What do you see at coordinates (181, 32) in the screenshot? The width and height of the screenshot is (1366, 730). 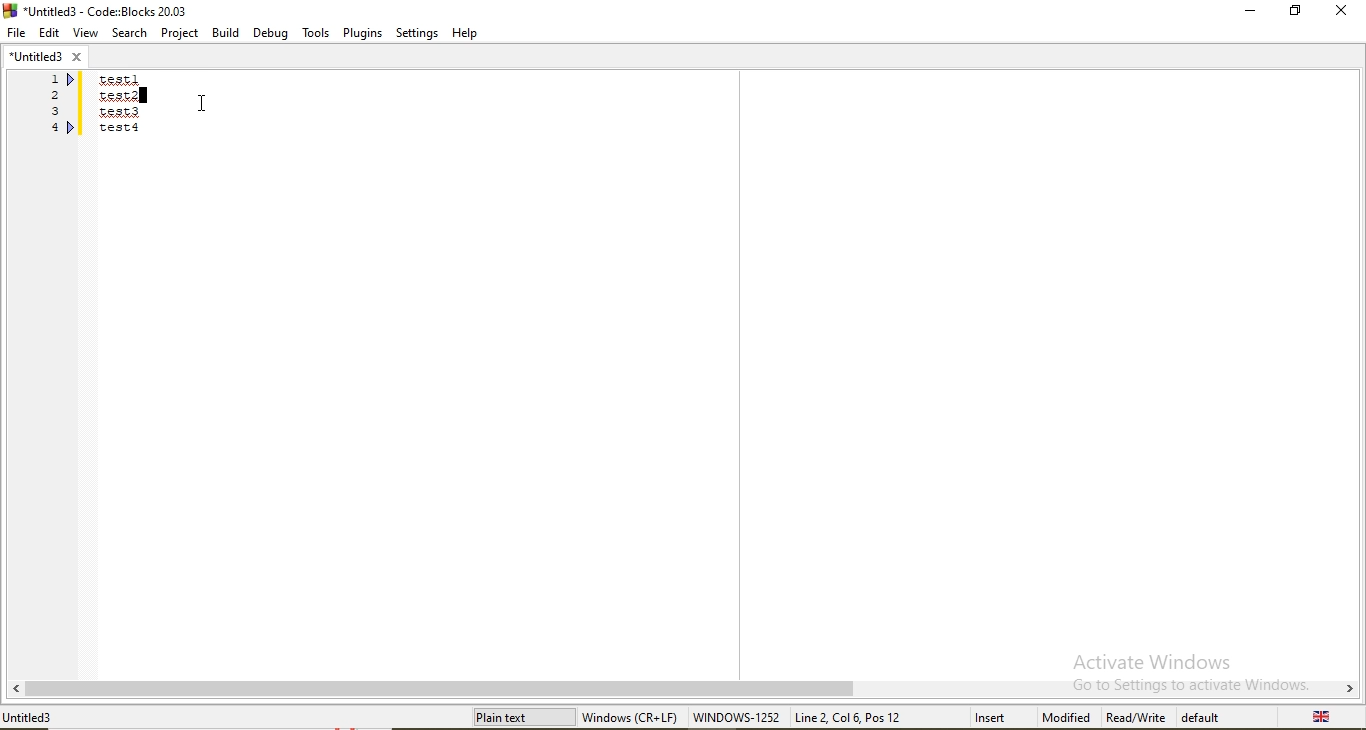 I see `Project ` at bounding box center [181, 32].